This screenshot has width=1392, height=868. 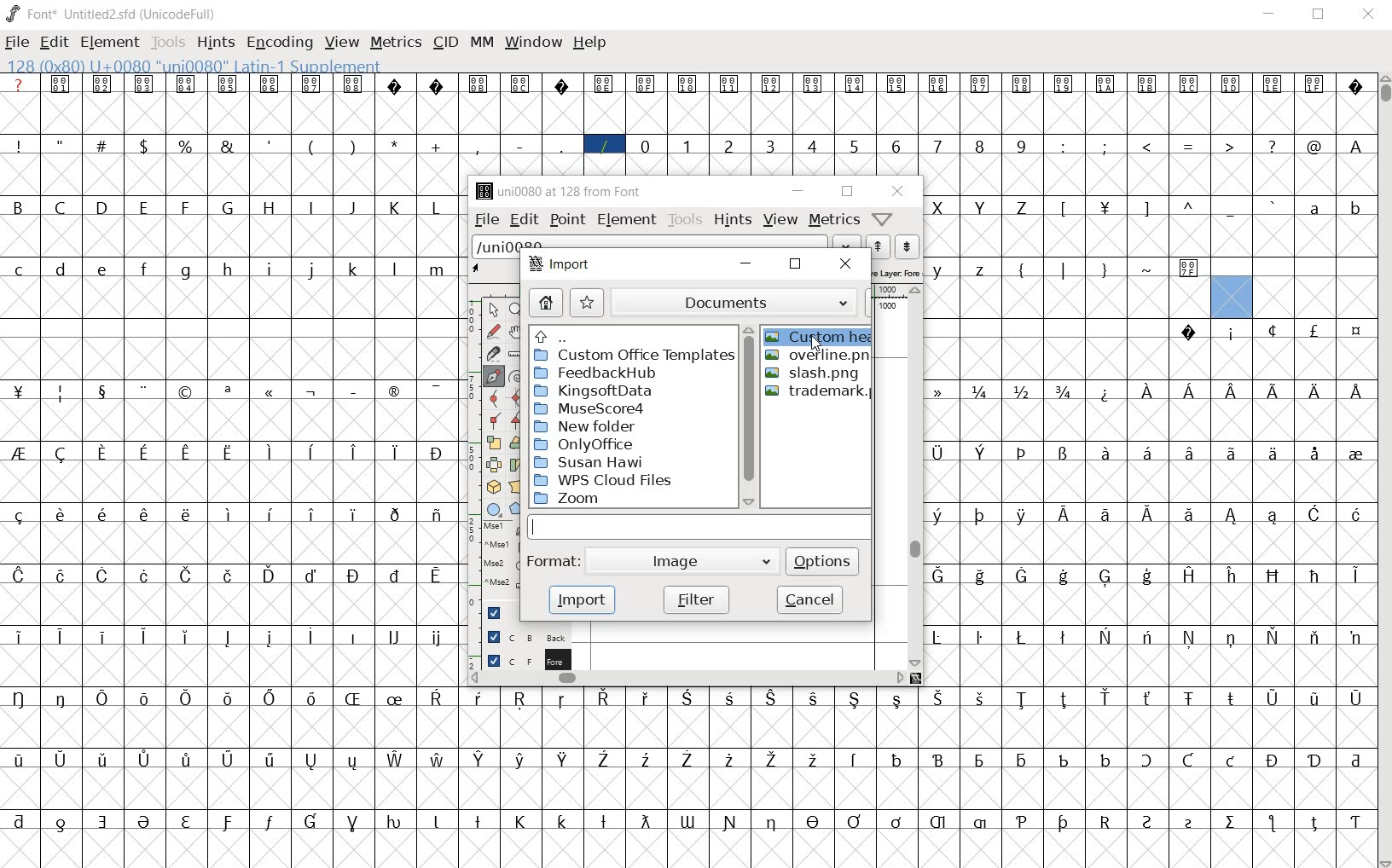 What do you see at coordinates (520, 147) in the screenshot?
I see `glyph` at bounding box center [520, 147].